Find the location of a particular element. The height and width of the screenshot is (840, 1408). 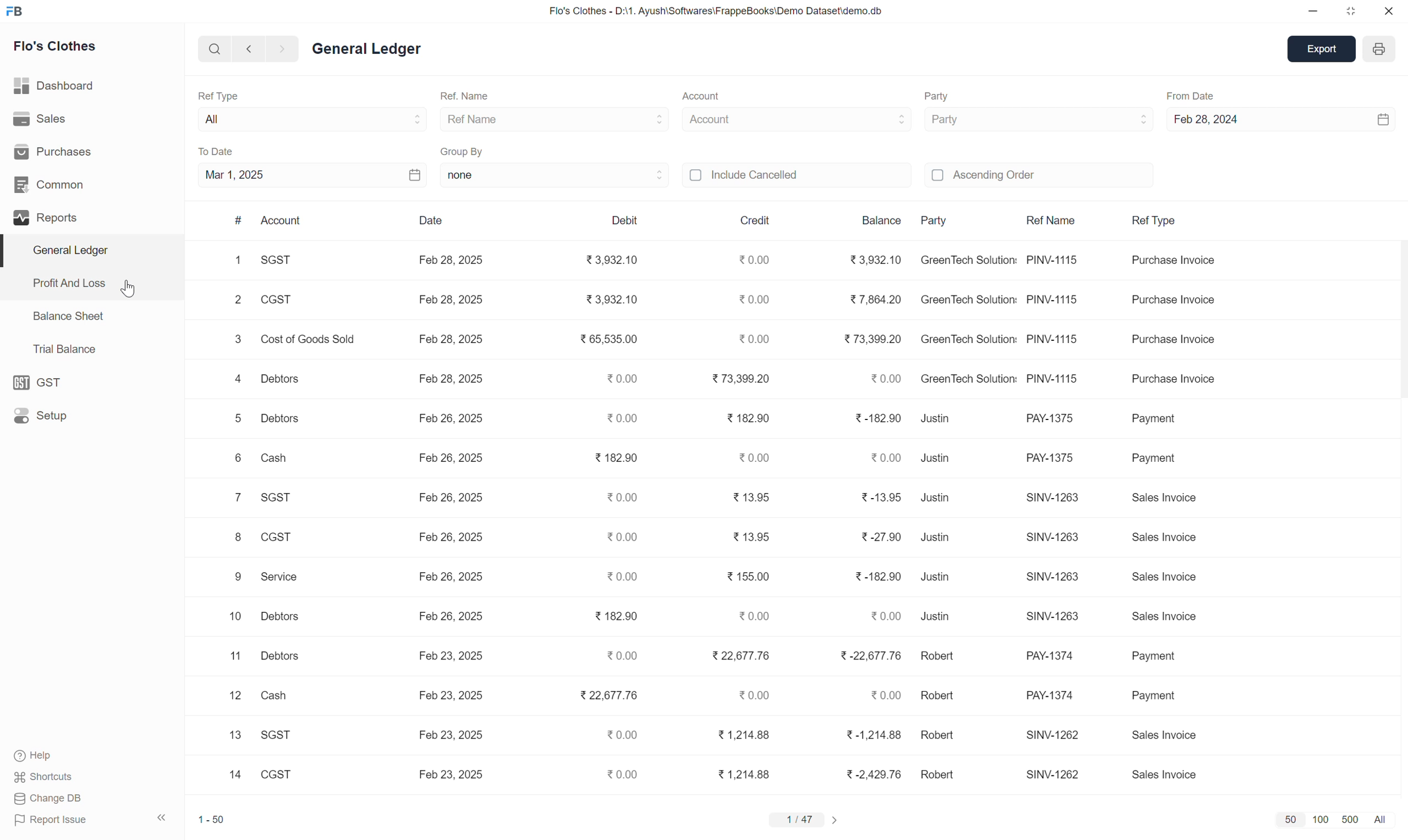

Sales Invoice is located at coordinates (1162, 537).